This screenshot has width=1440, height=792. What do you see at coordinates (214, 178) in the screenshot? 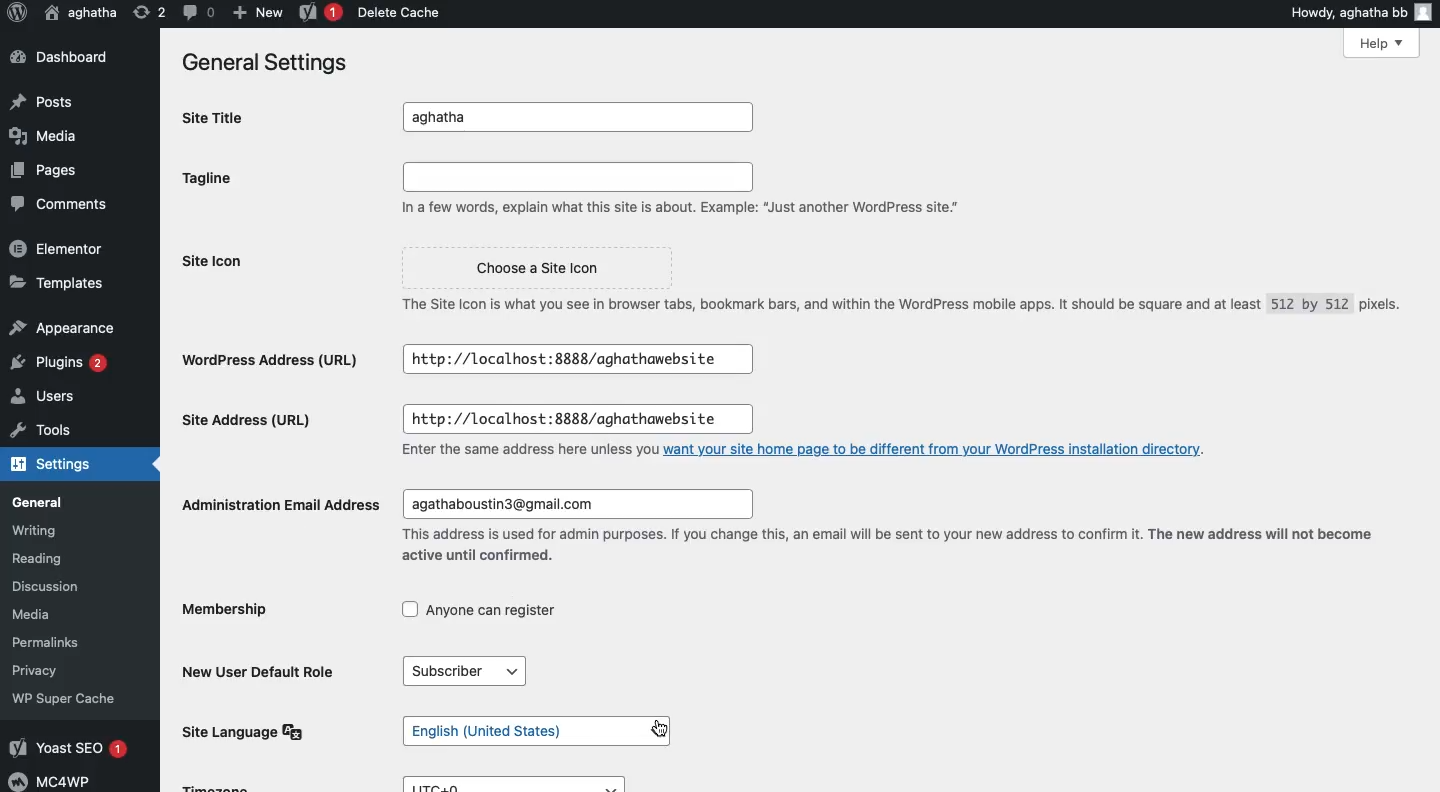
I see `Tagline` at bounding box center [214, 178].